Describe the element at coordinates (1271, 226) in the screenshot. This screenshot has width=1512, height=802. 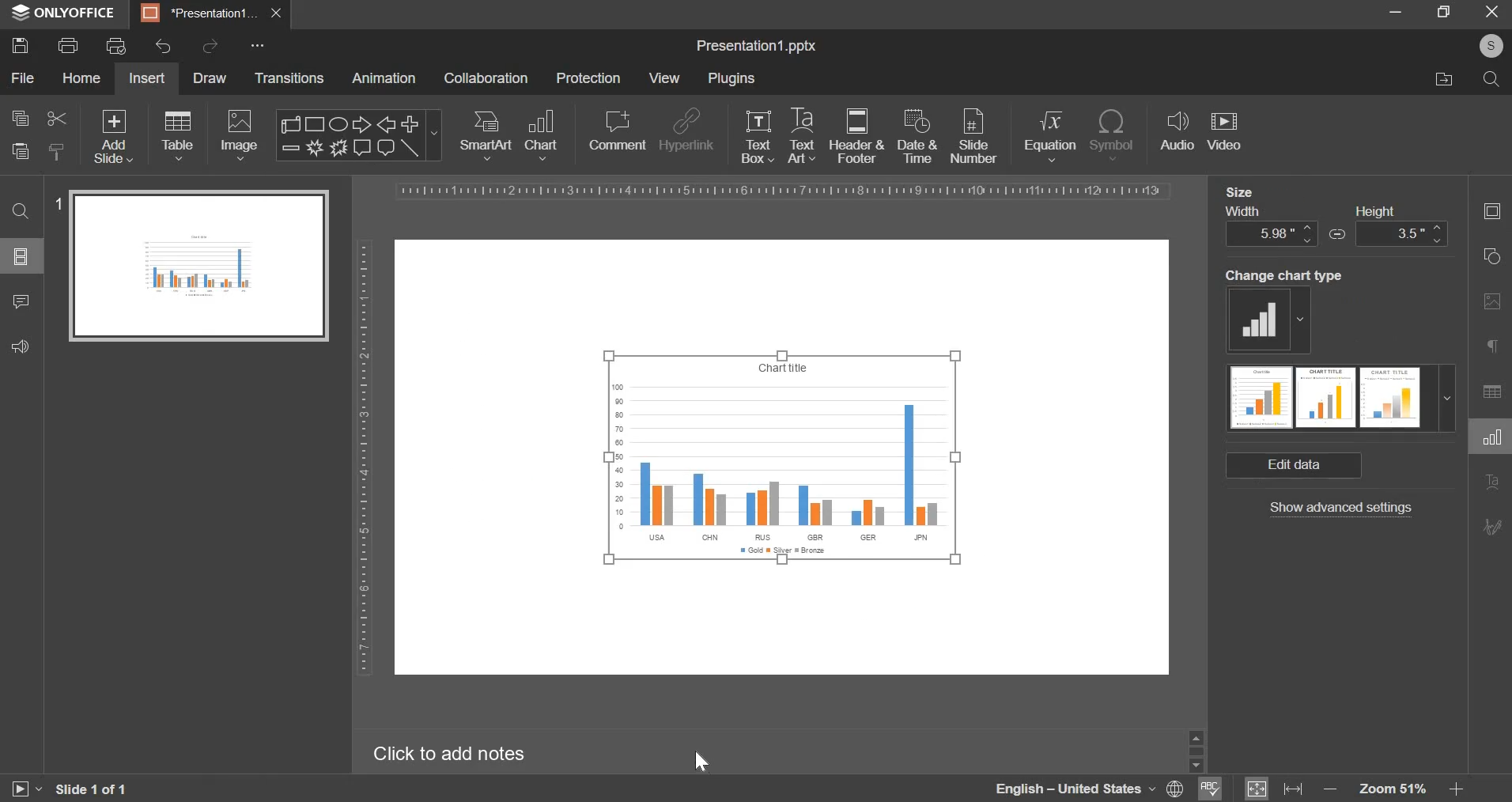
I see `width` at that location.